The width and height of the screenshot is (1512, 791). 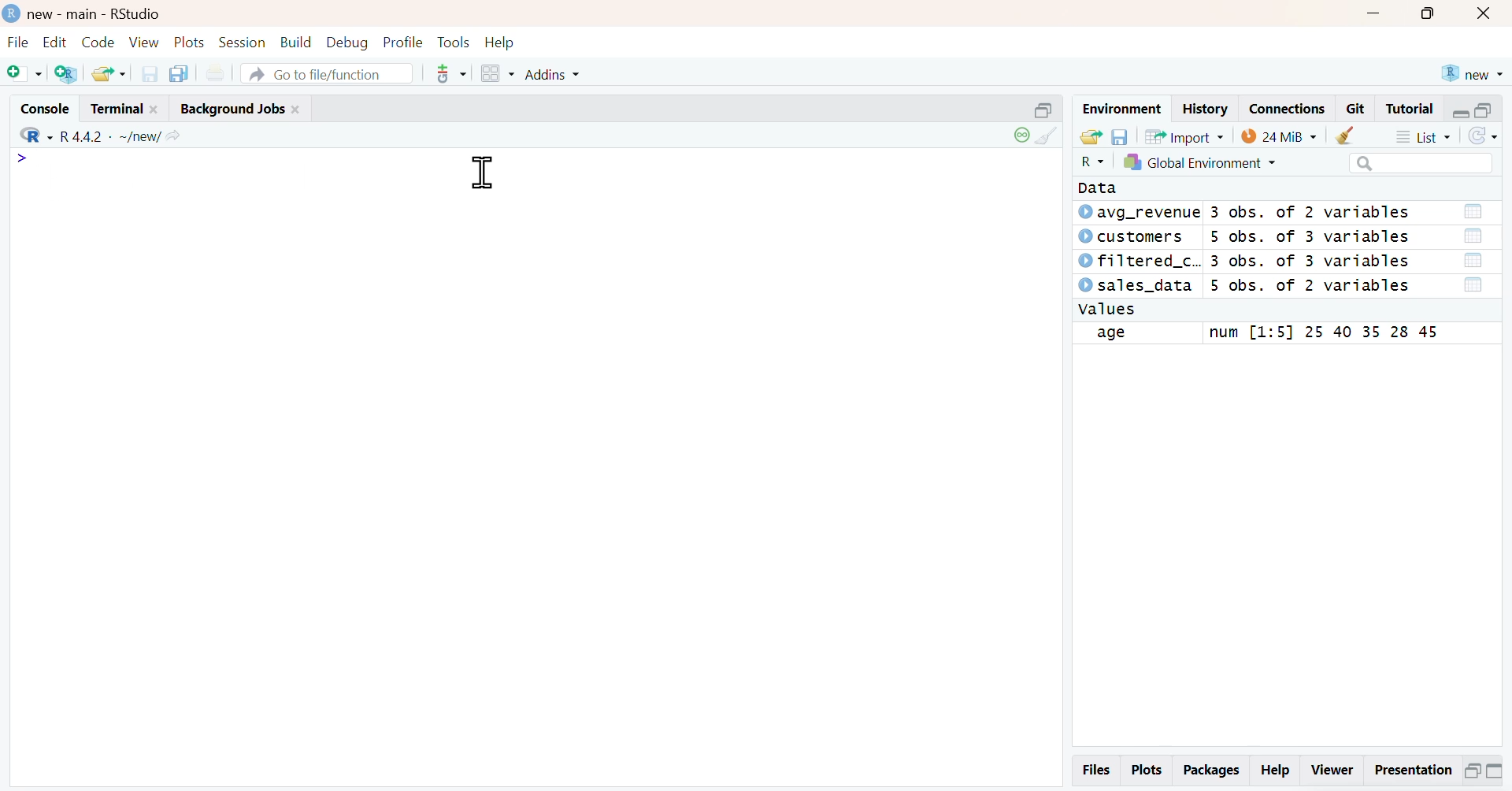 What do you see at coordinates (1349, 135) in the screenshot?
I see `clear` at bounding box center [1349, 135].